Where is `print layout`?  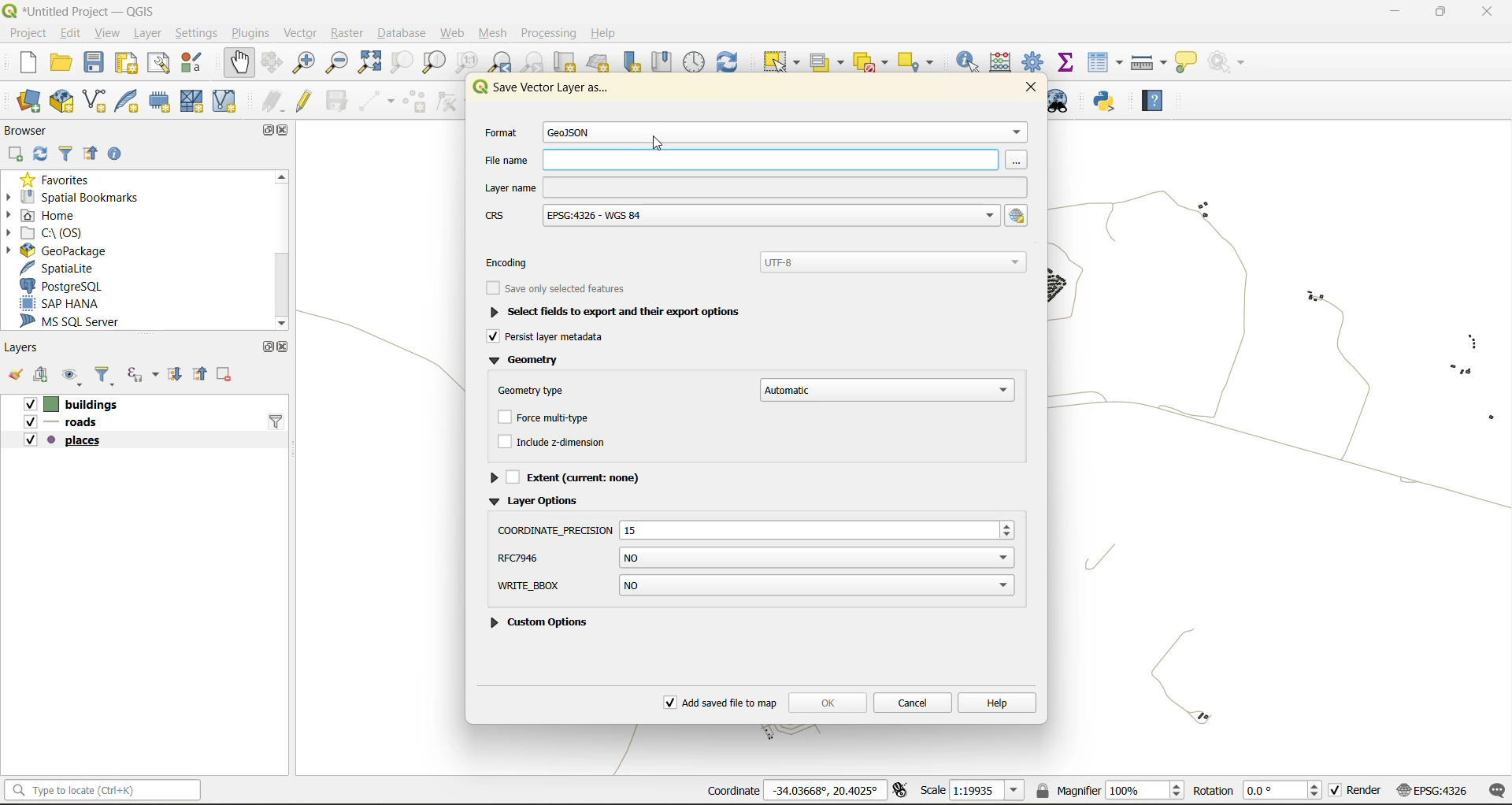 print layout is located at coordinates (132, 63).